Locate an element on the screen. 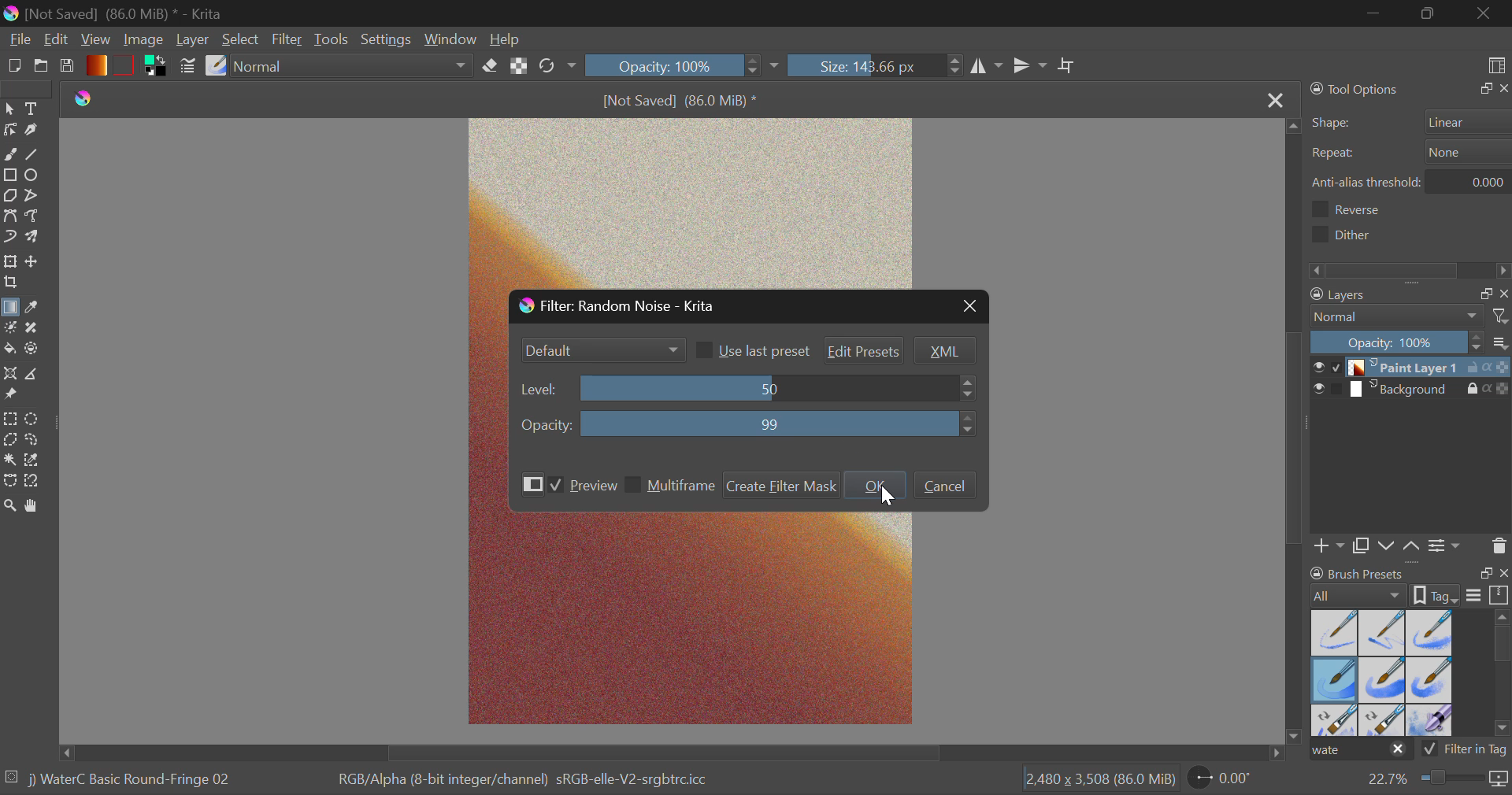 The image size is (1512, 795). Circular Selection is located at coordinates (33, 418).